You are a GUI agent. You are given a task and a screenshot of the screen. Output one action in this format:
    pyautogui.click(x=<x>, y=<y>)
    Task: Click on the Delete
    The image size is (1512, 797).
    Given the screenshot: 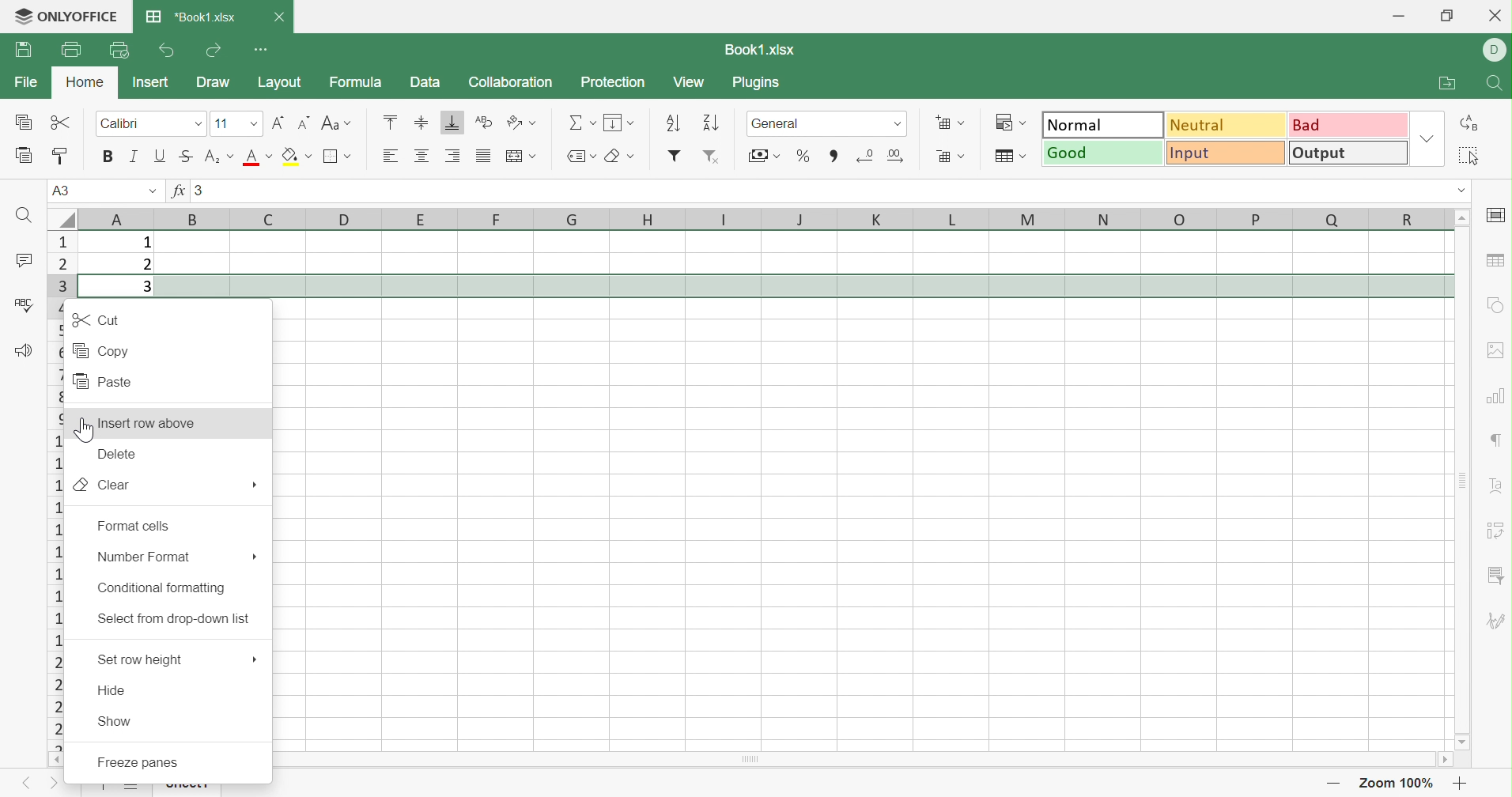 What is the action you would take?
    pyautogui.click(x=120, y=453)
    